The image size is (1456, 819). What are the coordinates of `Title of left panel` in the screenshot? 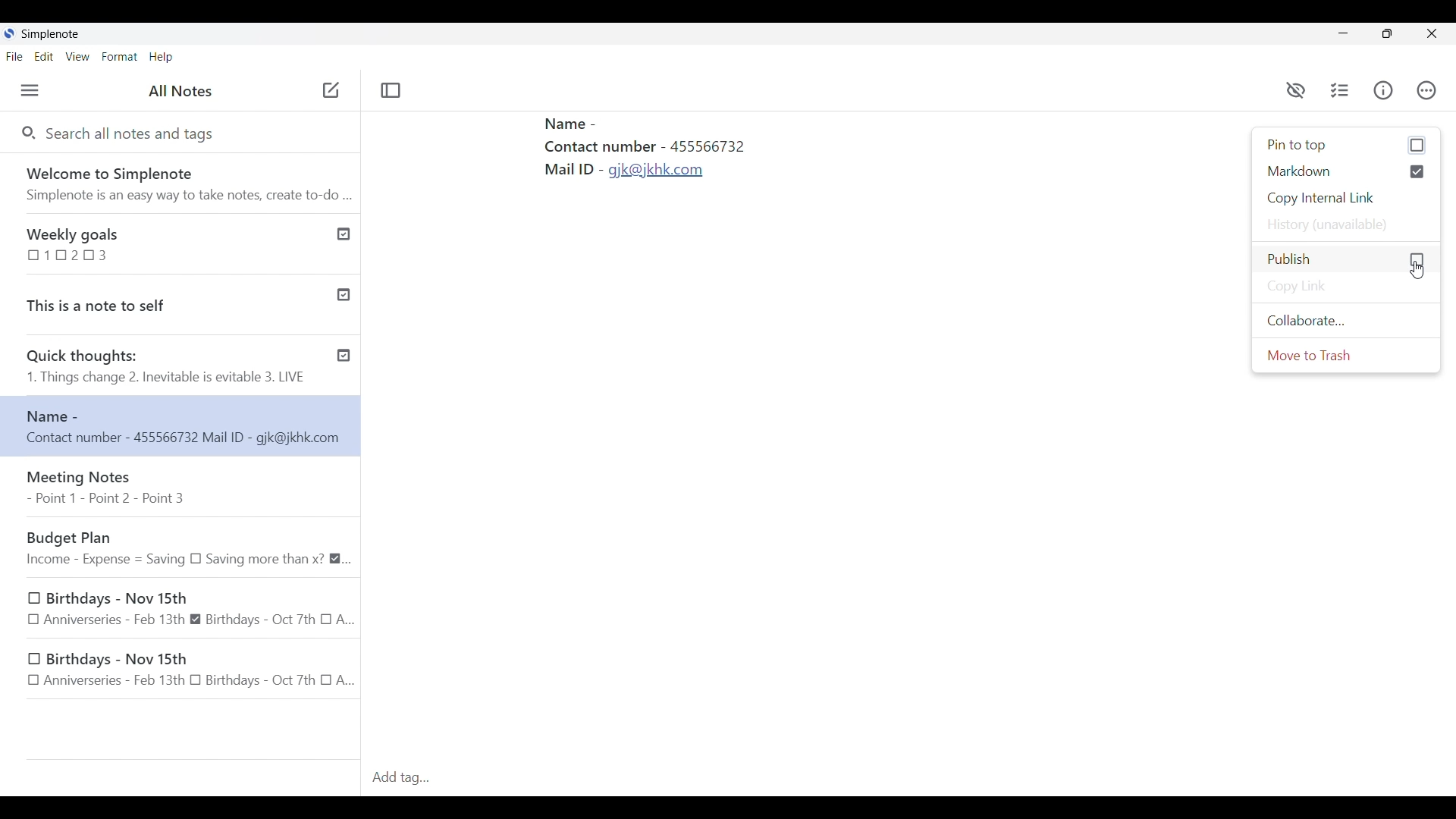 It's located at (180, 90).